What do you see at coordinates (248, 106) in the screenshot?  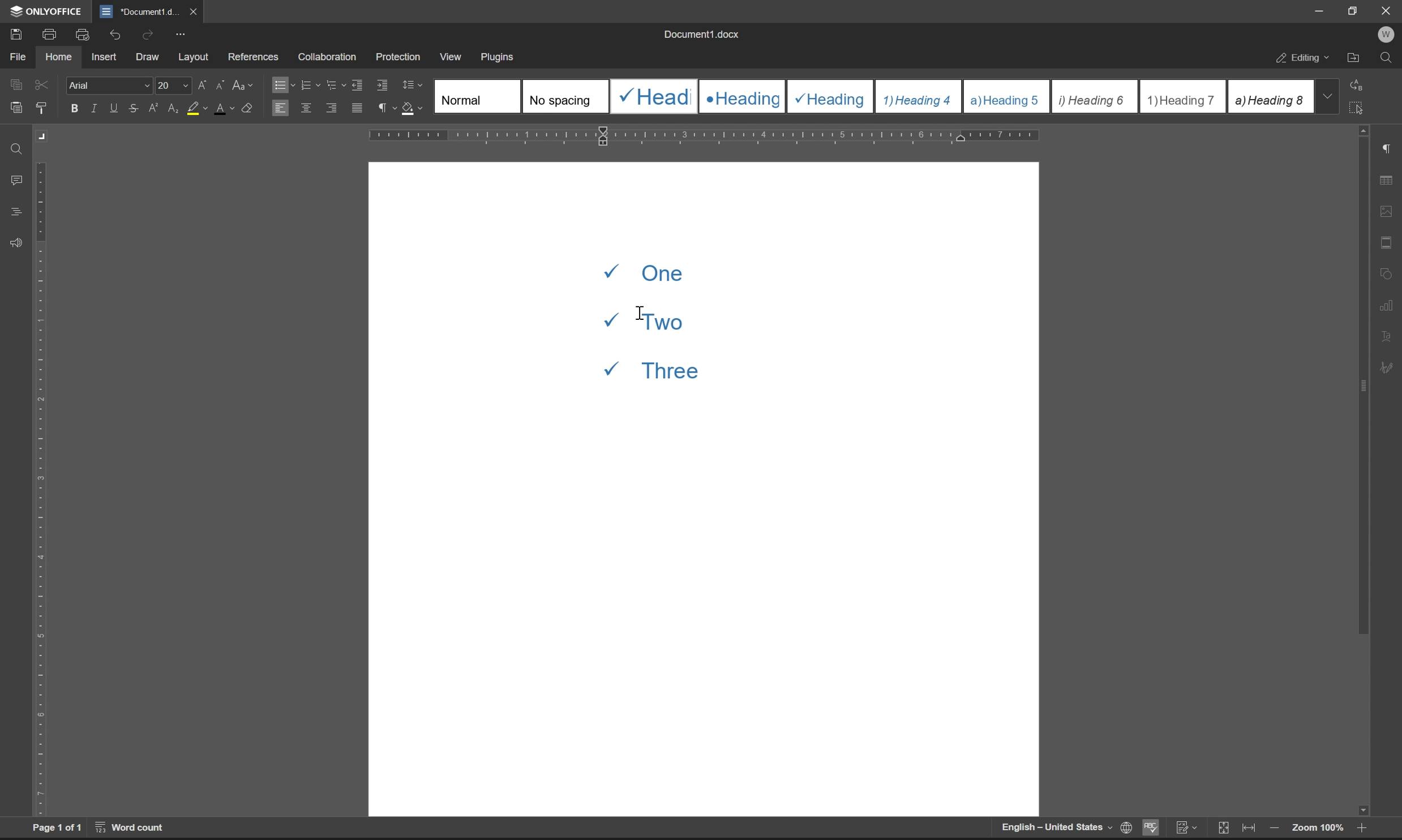 I see `clear style` at bounding box center [248, 106].